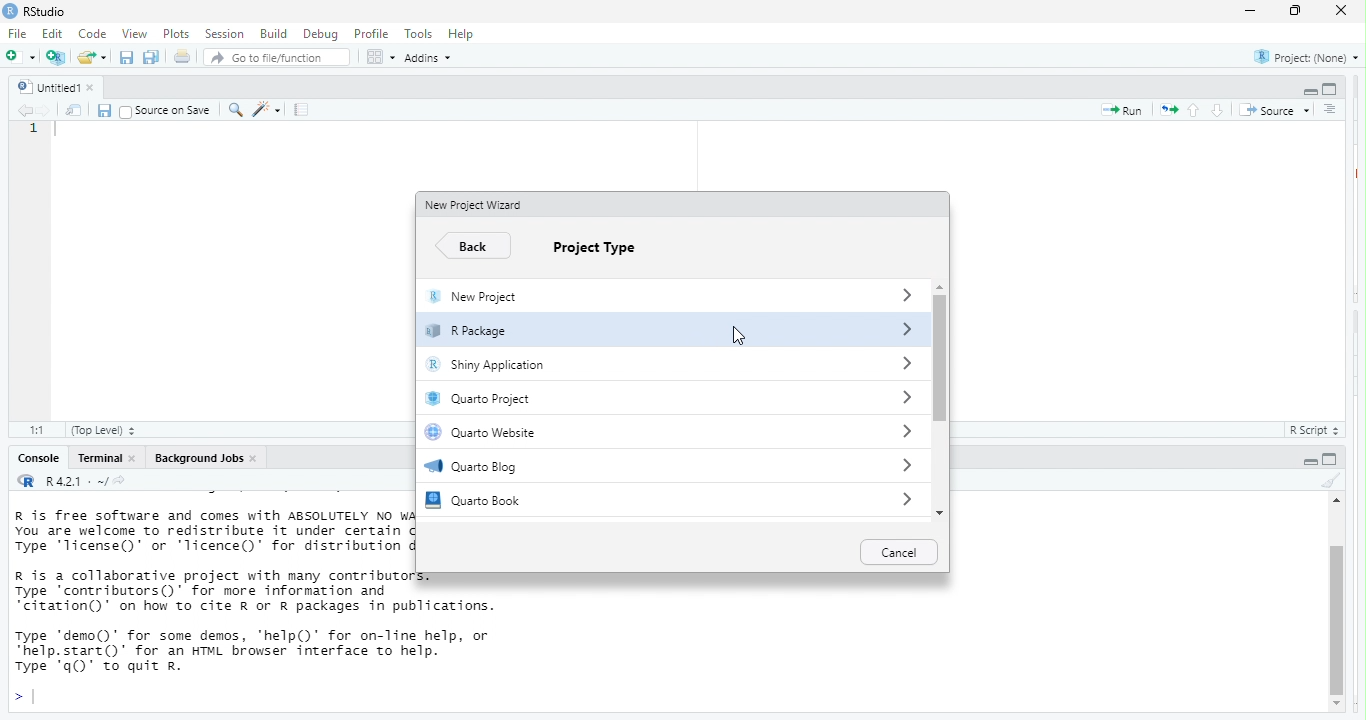 Image resolution: width=1366 pixels, height=720 pixels. Describe the element at coordinates (1336, 609) in the screenshot. I see `vertical scroll bar` at that location.